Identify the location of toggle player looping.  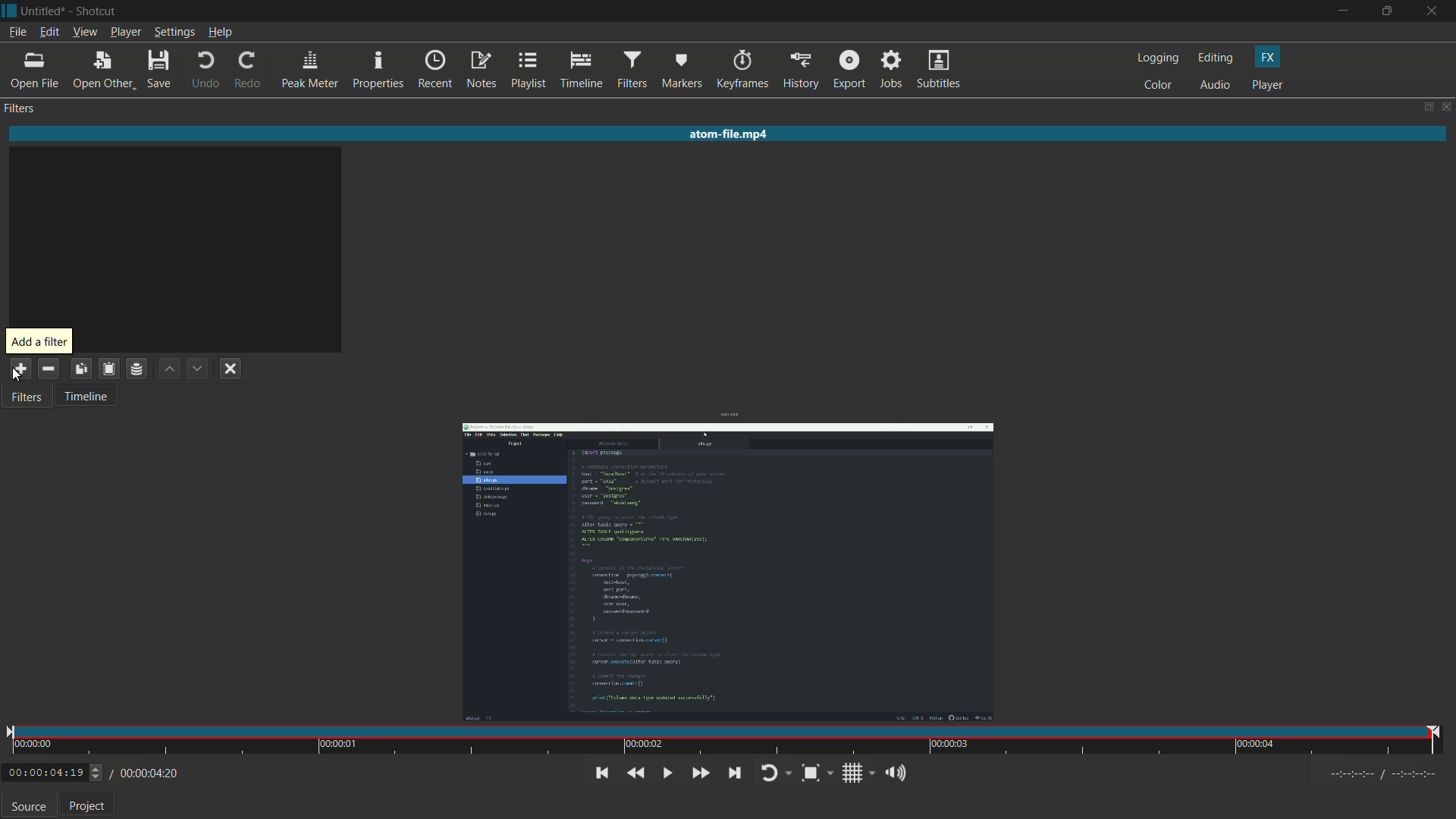
(777, 774).